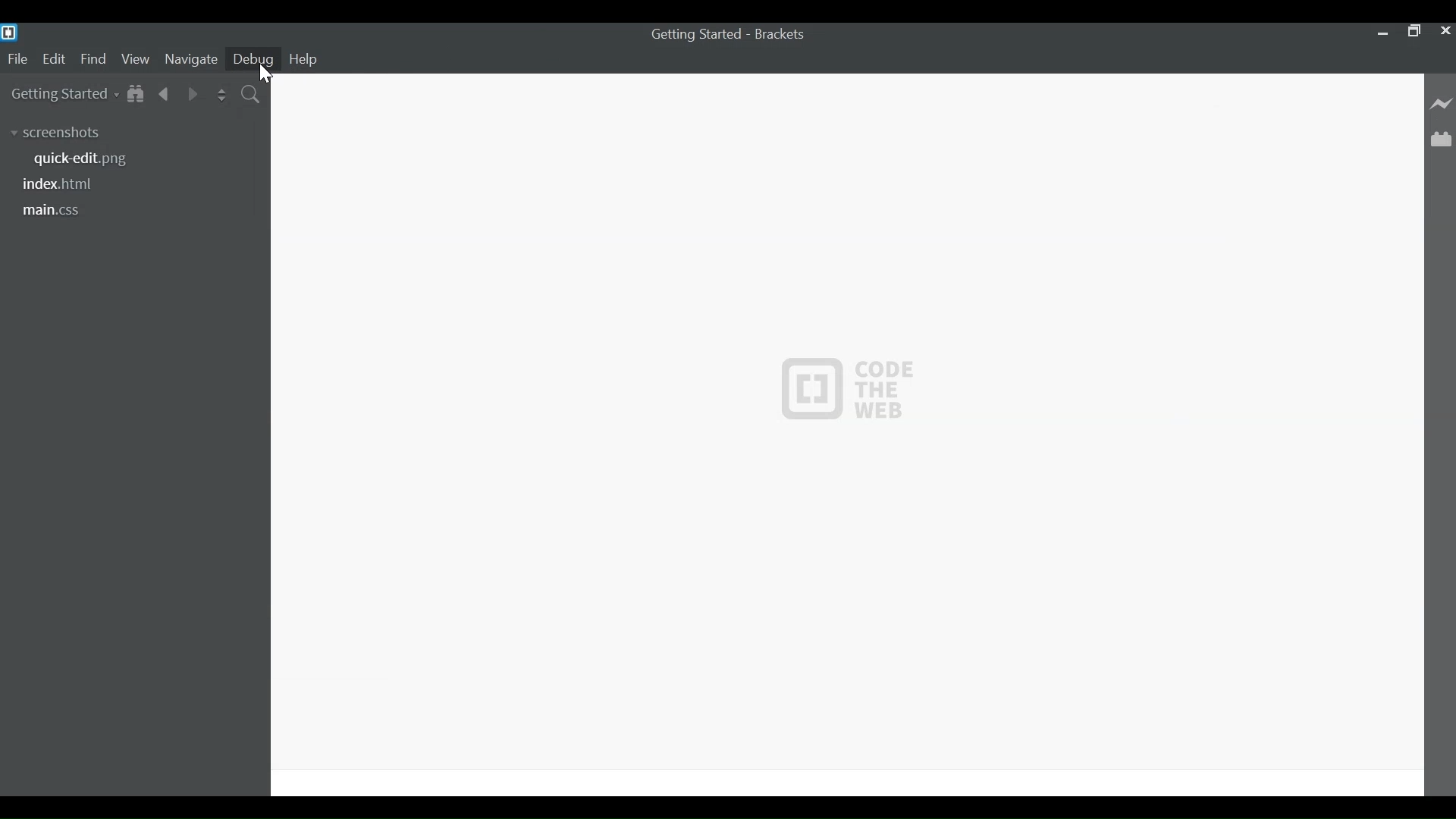  What do you see at coordinates (253, 96) in the screenshot?
I see `Find in Files` at bounding box center [253, 96].